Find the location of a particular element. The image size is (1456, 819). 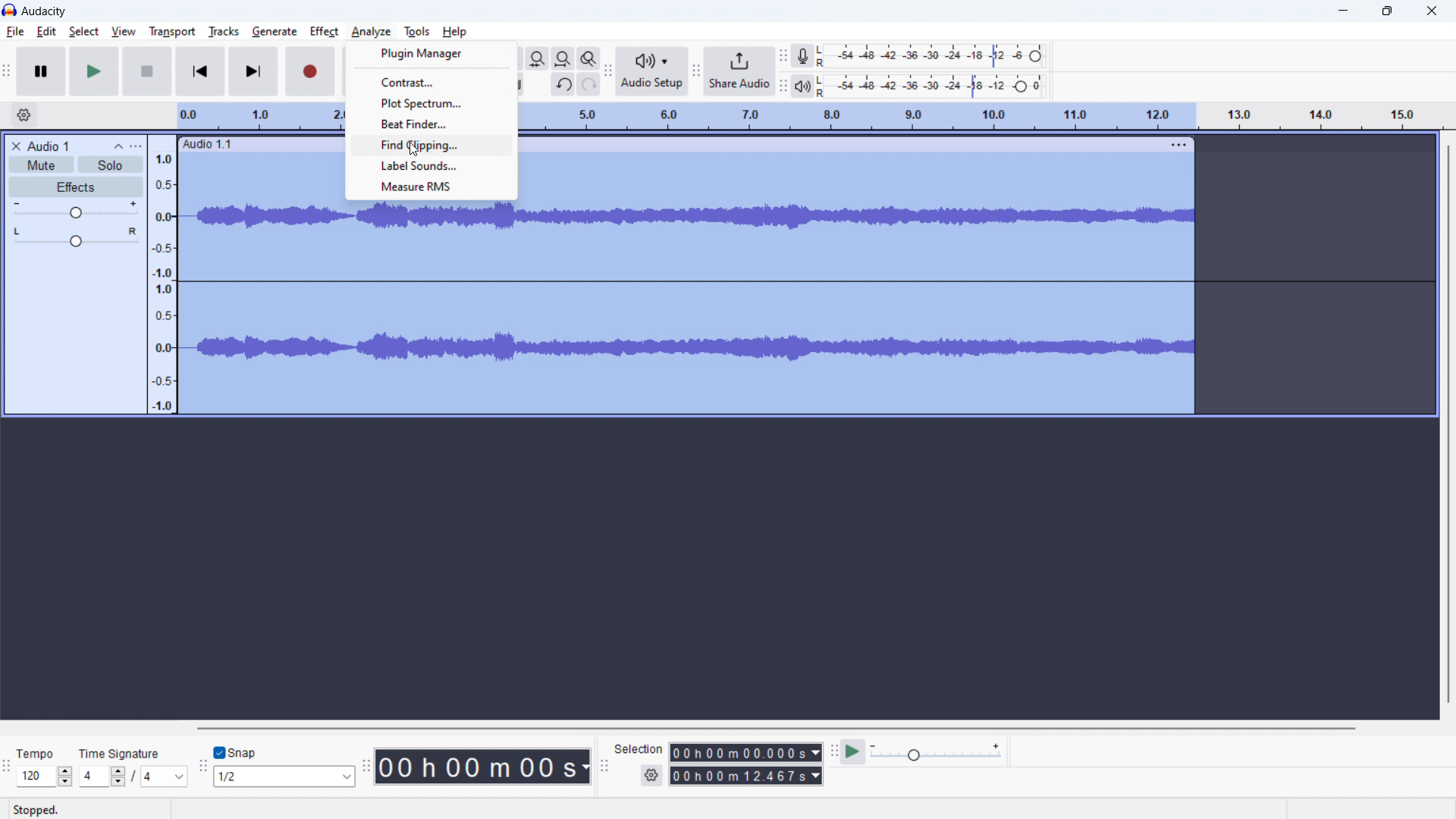

logo is located at coordinates (44, 11).